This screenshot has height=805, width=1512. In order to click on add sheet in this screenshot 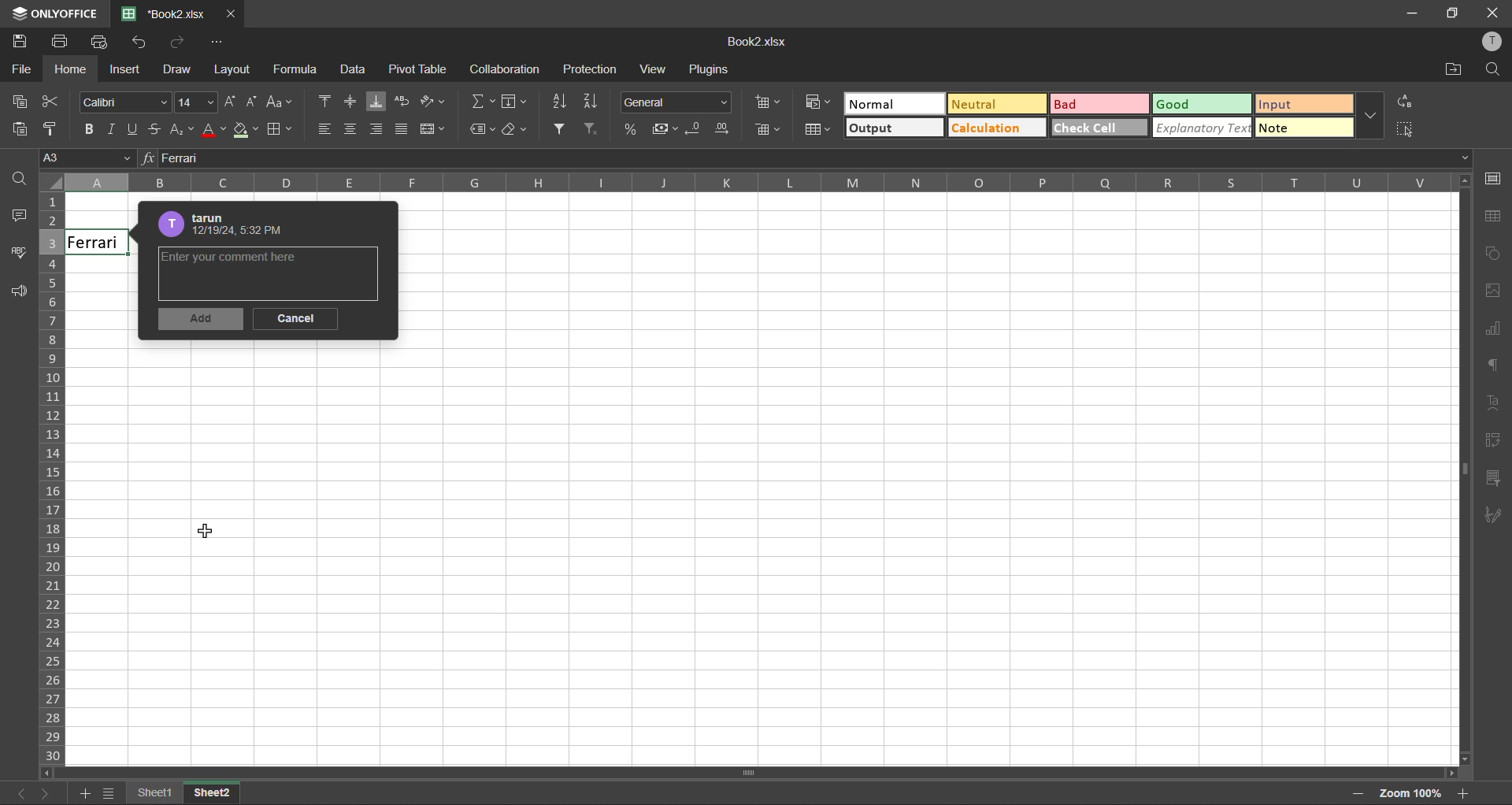, I will do `click(80, 793)`.